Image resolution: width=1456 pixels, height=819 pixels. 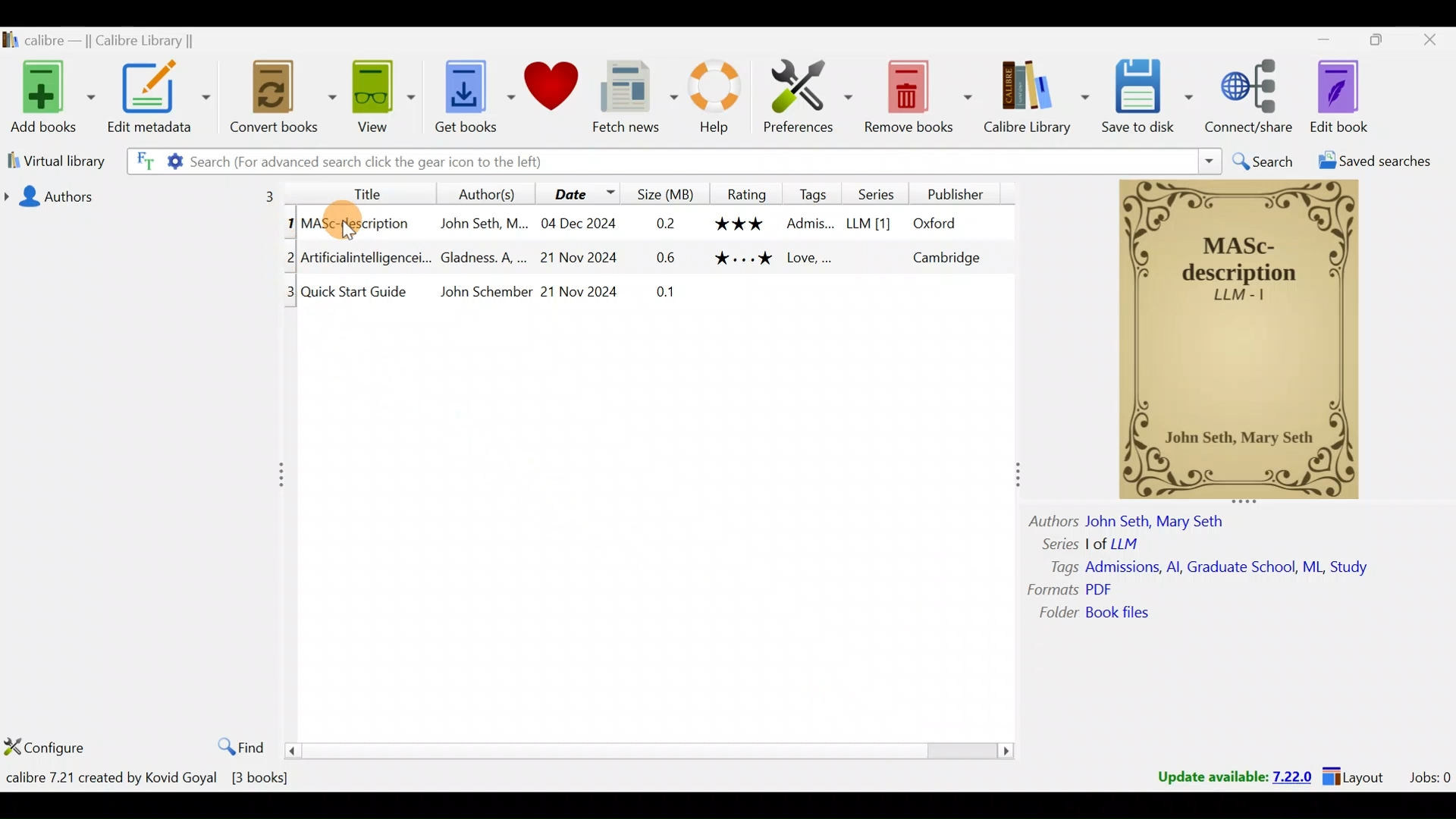 I want to click on , so click(x=742, y=259).